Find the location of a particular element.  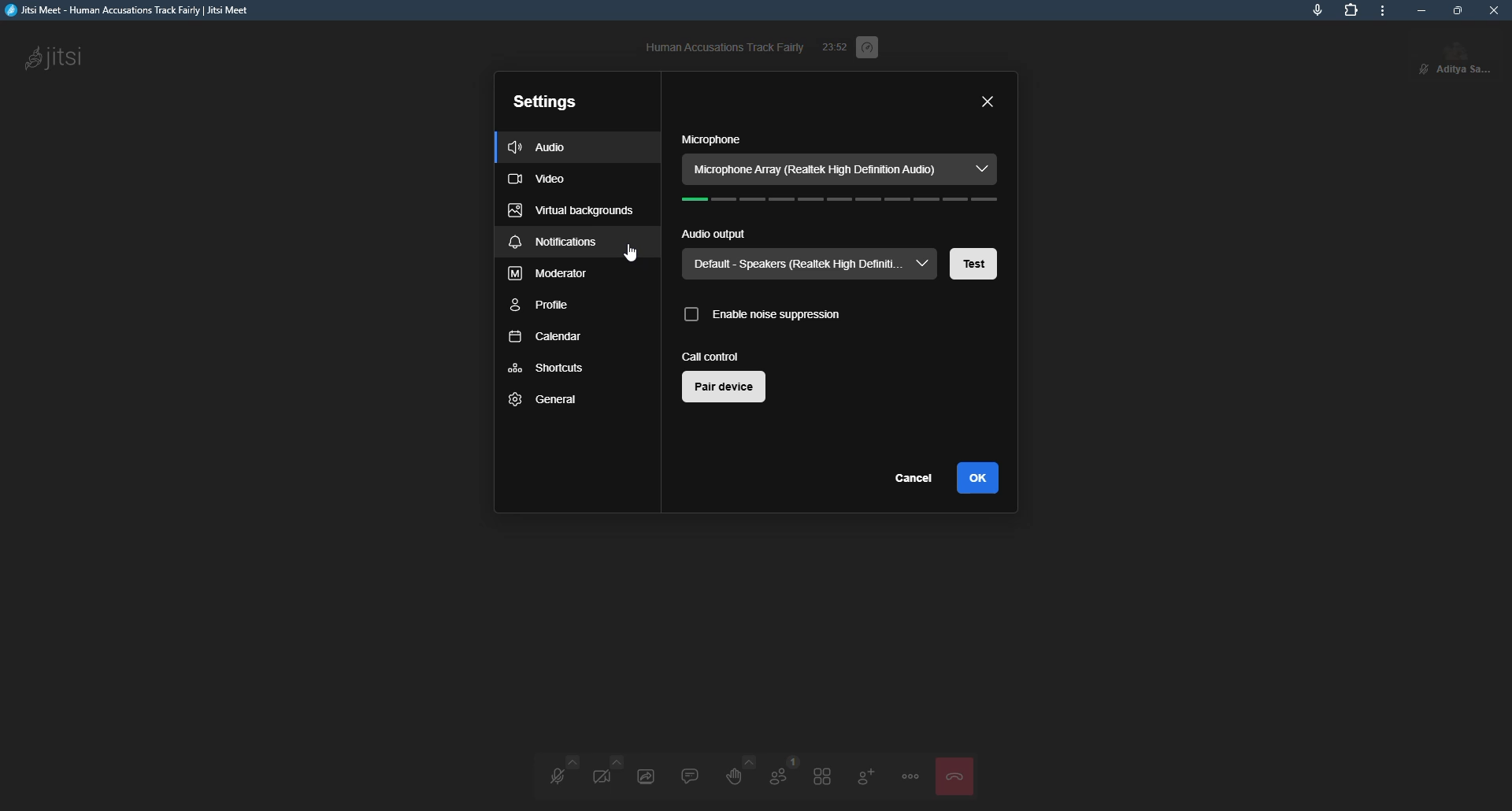

general is located at coordinates (546, 398).